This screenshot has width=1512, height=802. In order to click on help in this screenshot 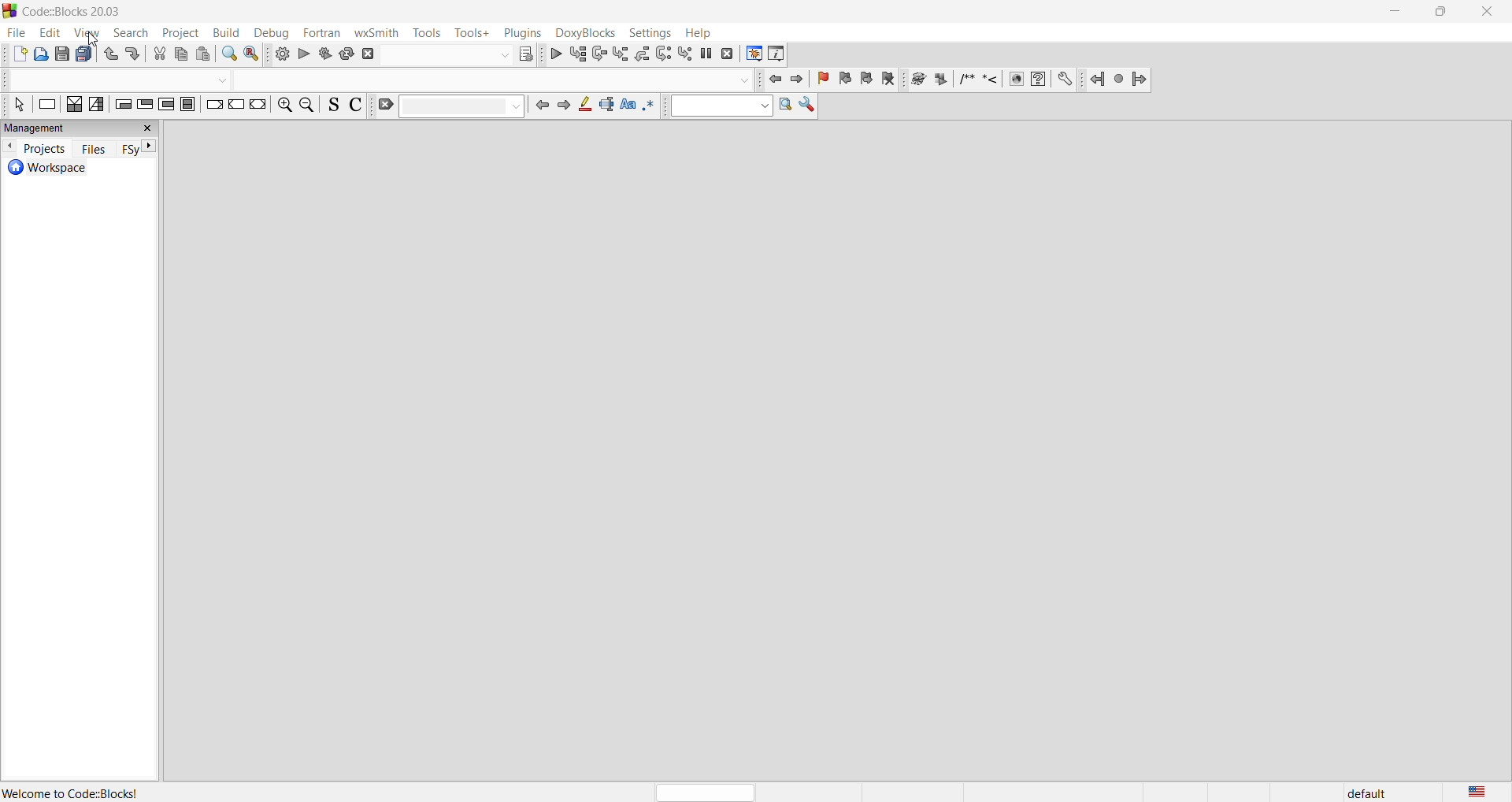, I will do `click(698, 32)`.